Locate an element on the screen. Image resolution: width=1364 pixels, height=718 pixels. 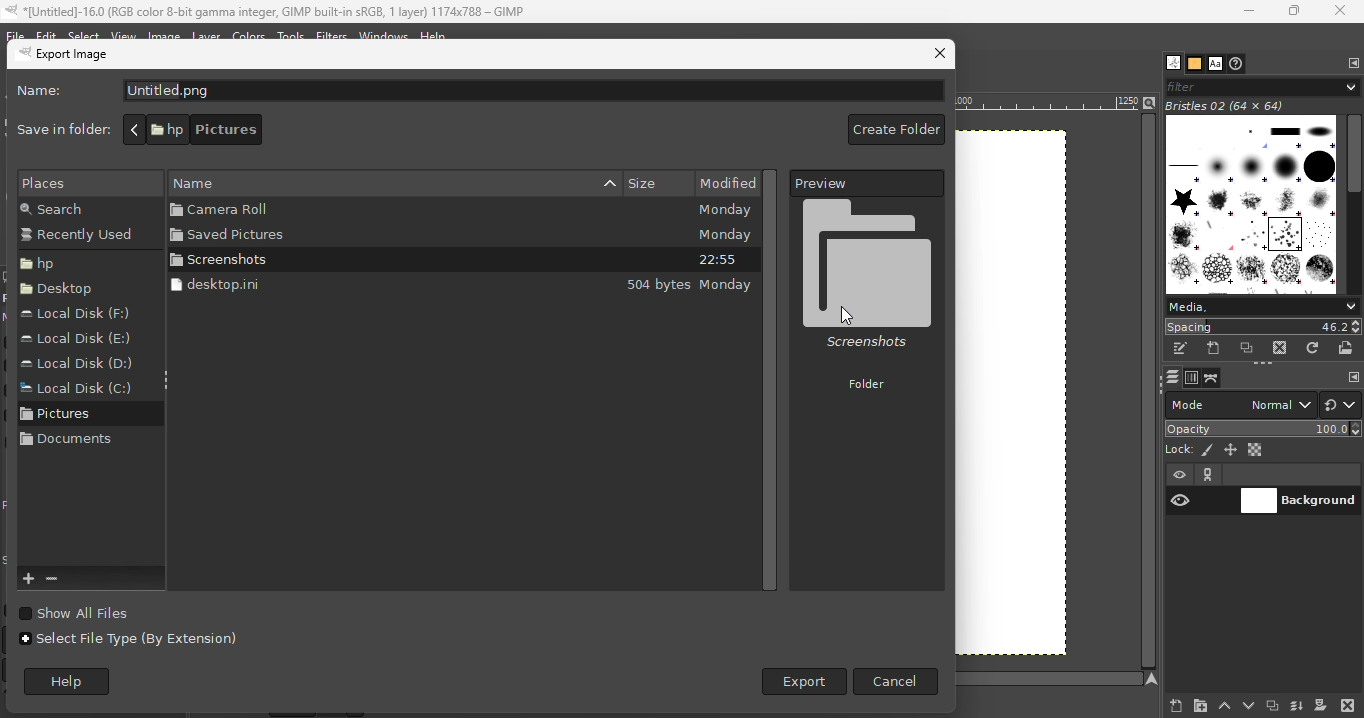
desktop.ini is located at coordinates (340, 285).